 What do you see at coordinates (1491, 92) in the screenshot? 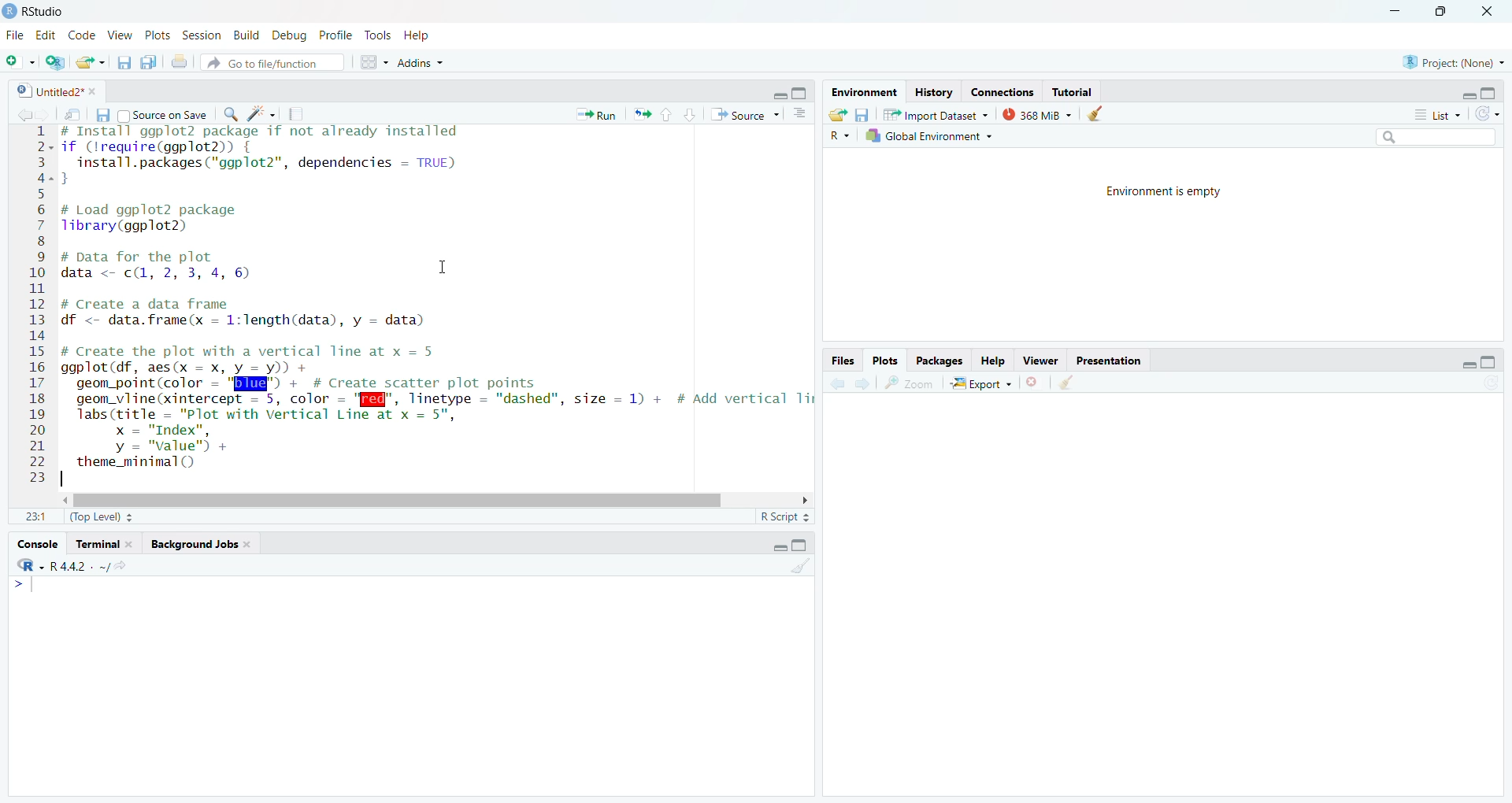
I see `maximise` at bounding box center [1491, 92].